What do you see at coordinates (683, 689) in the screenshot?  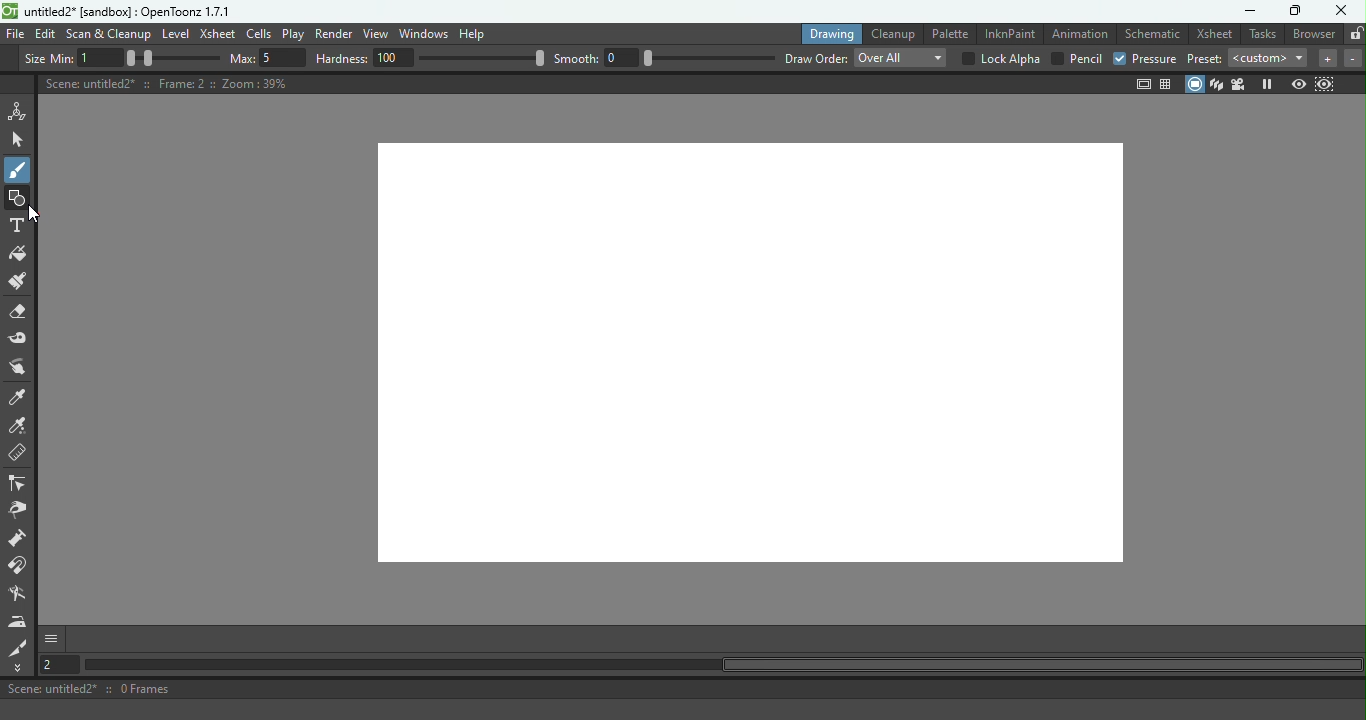 I see `Scene: untitled2* :: 0 Frames` at bounding box center [683, 689].